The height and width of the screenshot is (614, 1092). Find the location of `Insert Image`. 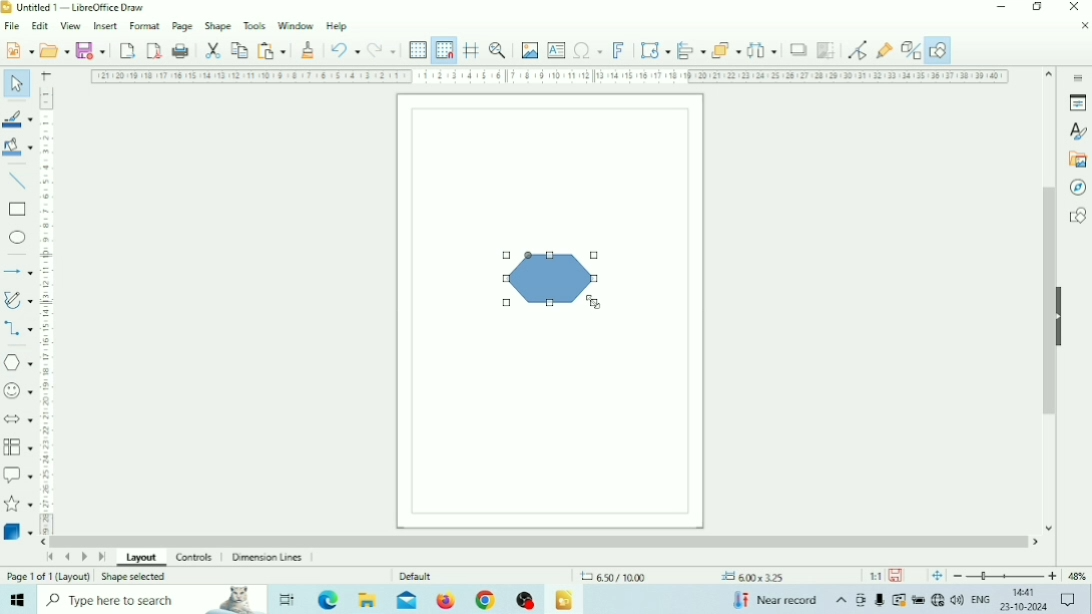

Insert Image is located at coordinates (530, 50).